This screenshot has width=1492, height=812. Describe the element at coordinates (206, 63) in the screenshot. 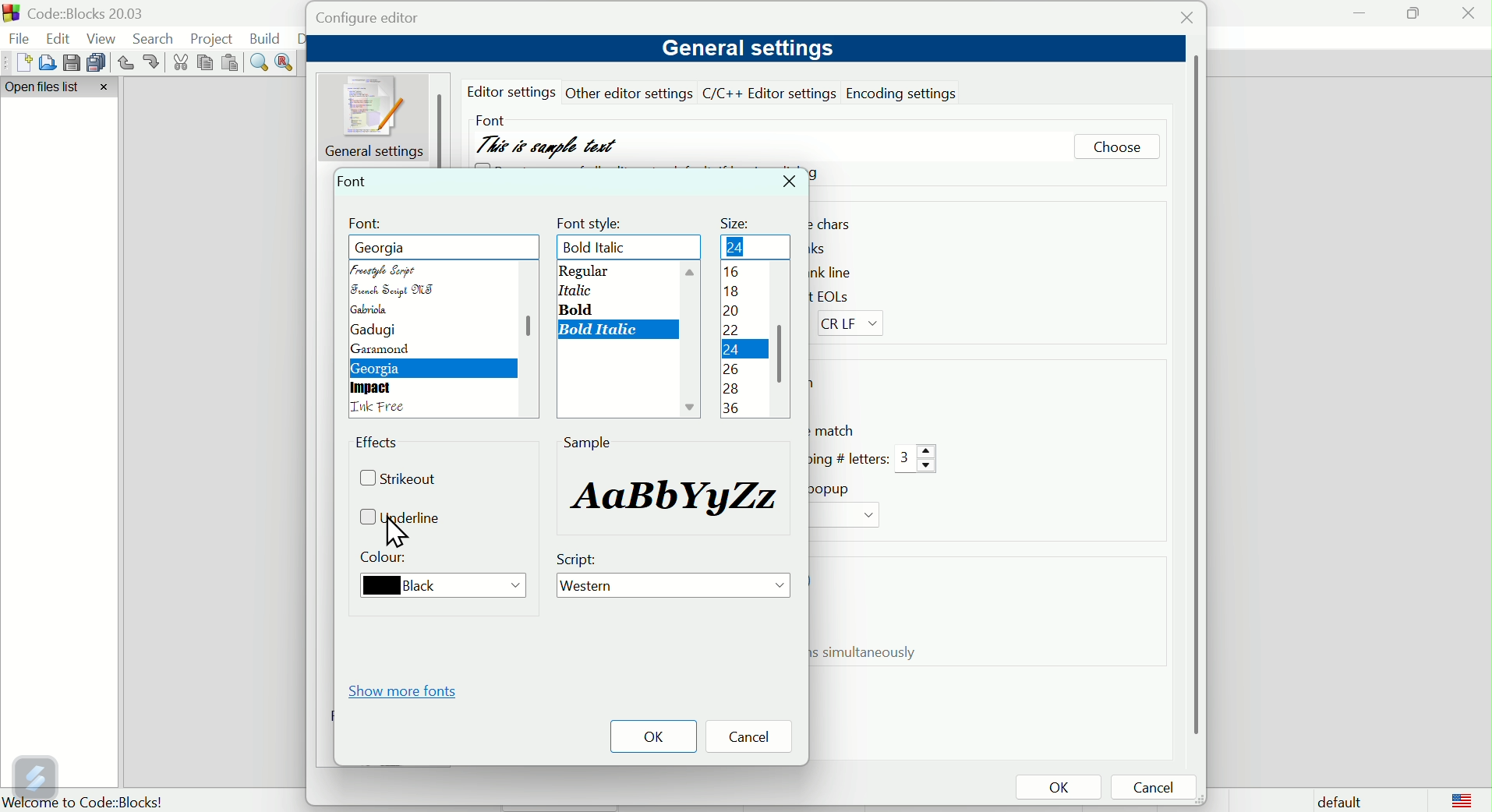

I see `Copy` at that location.